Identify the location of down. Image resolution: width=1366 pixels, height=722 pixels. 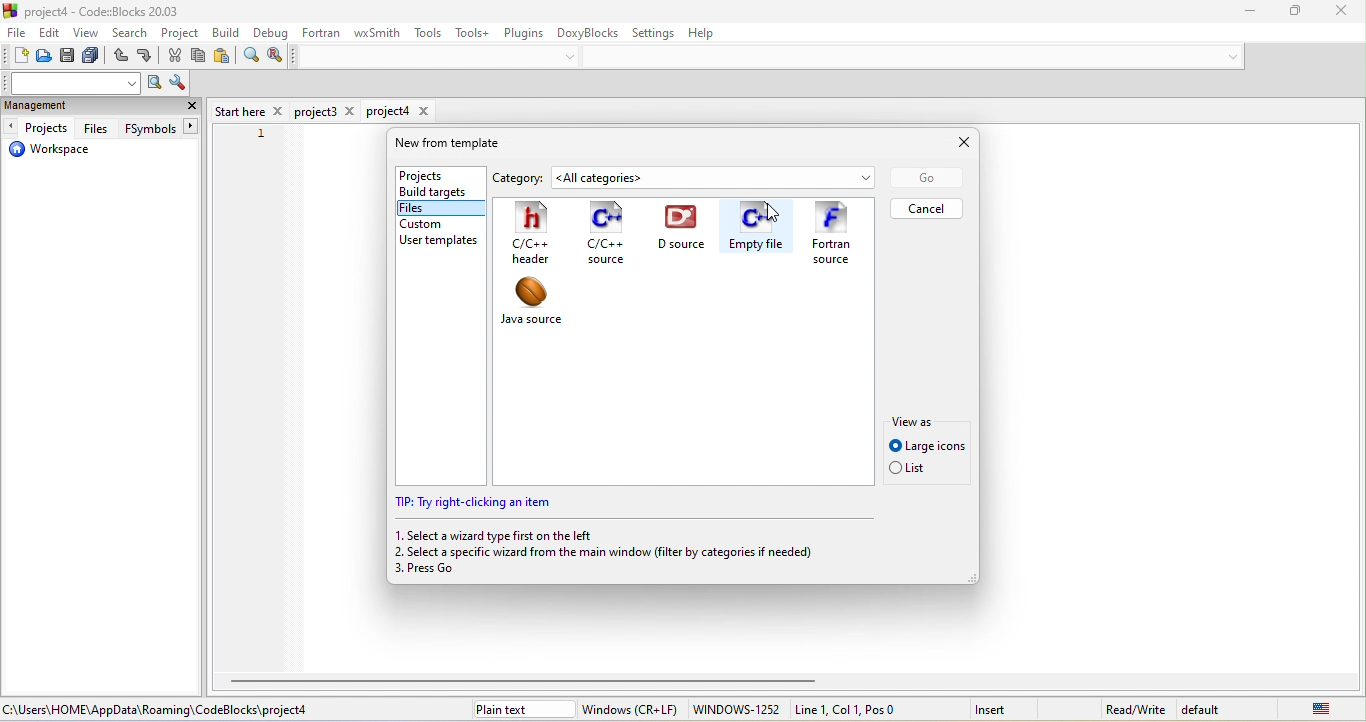
(1228, 56).